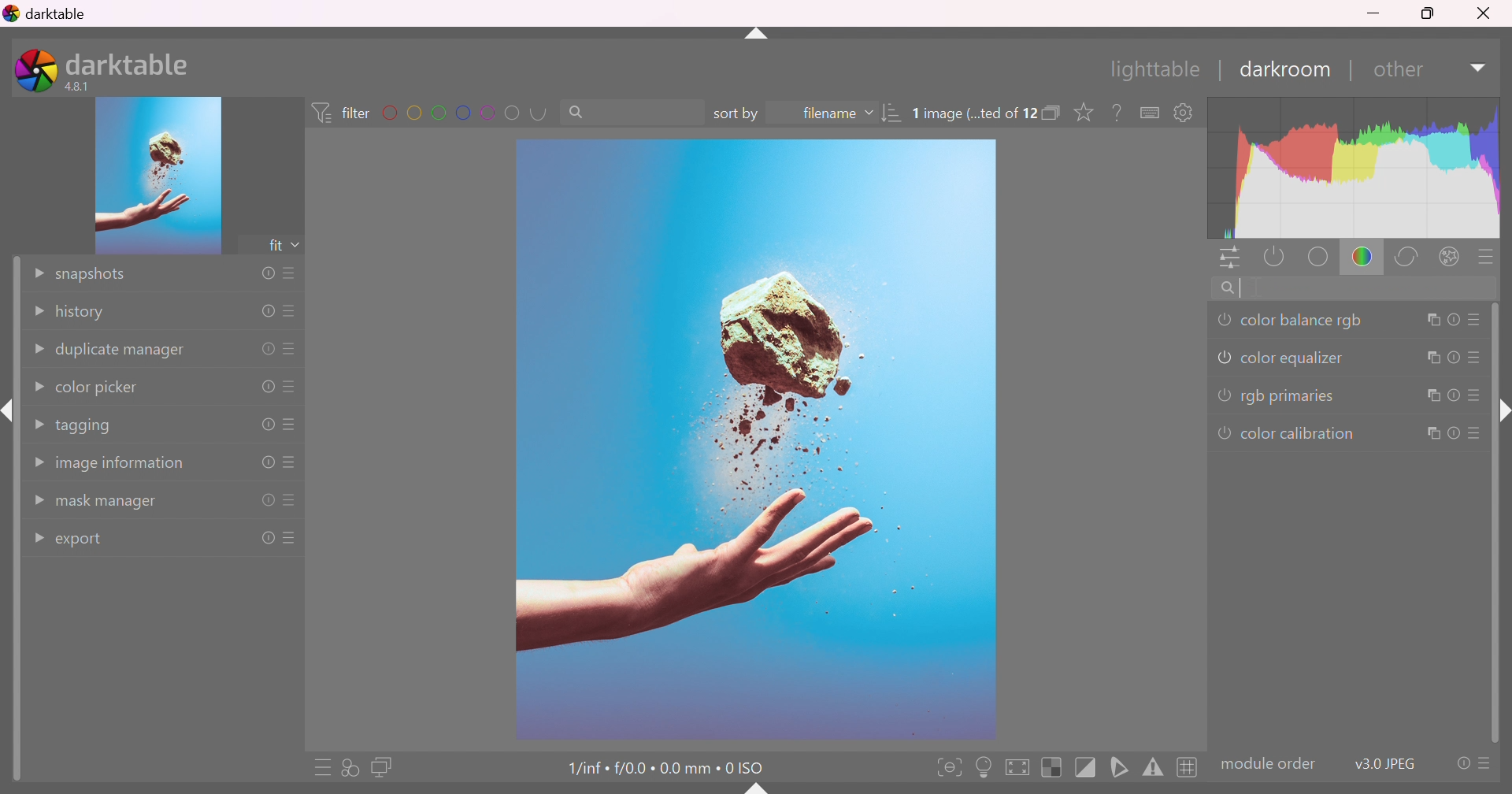 This screenshot has height=794, width=1512. Describe the element at coordinates (1218, 72) in the screenshot. I see `|` at that location.